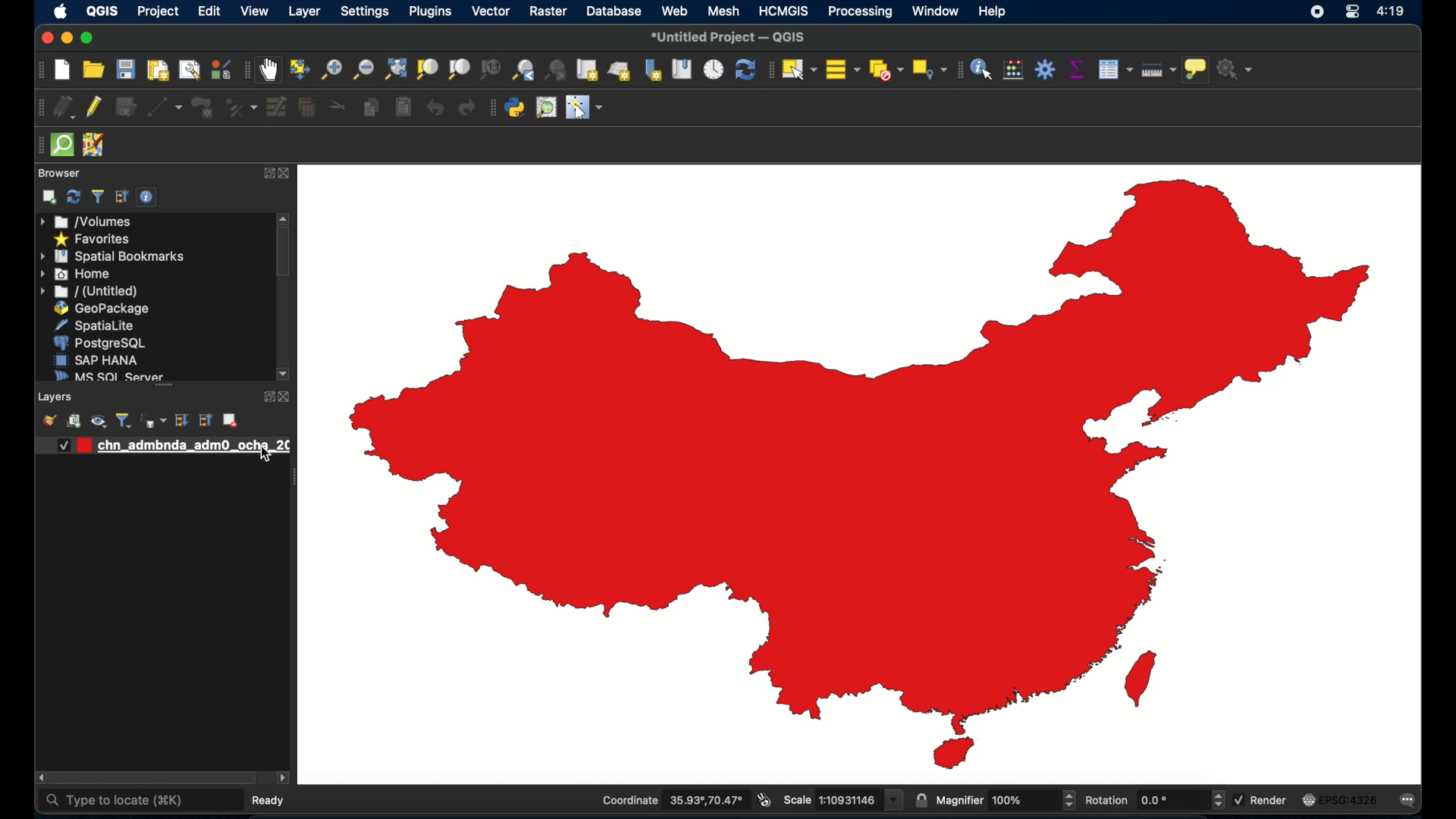 The image size is (1456, 819). Describe the element at coordinates (204, 420) in the screenshot. I see `collapse` at that location.